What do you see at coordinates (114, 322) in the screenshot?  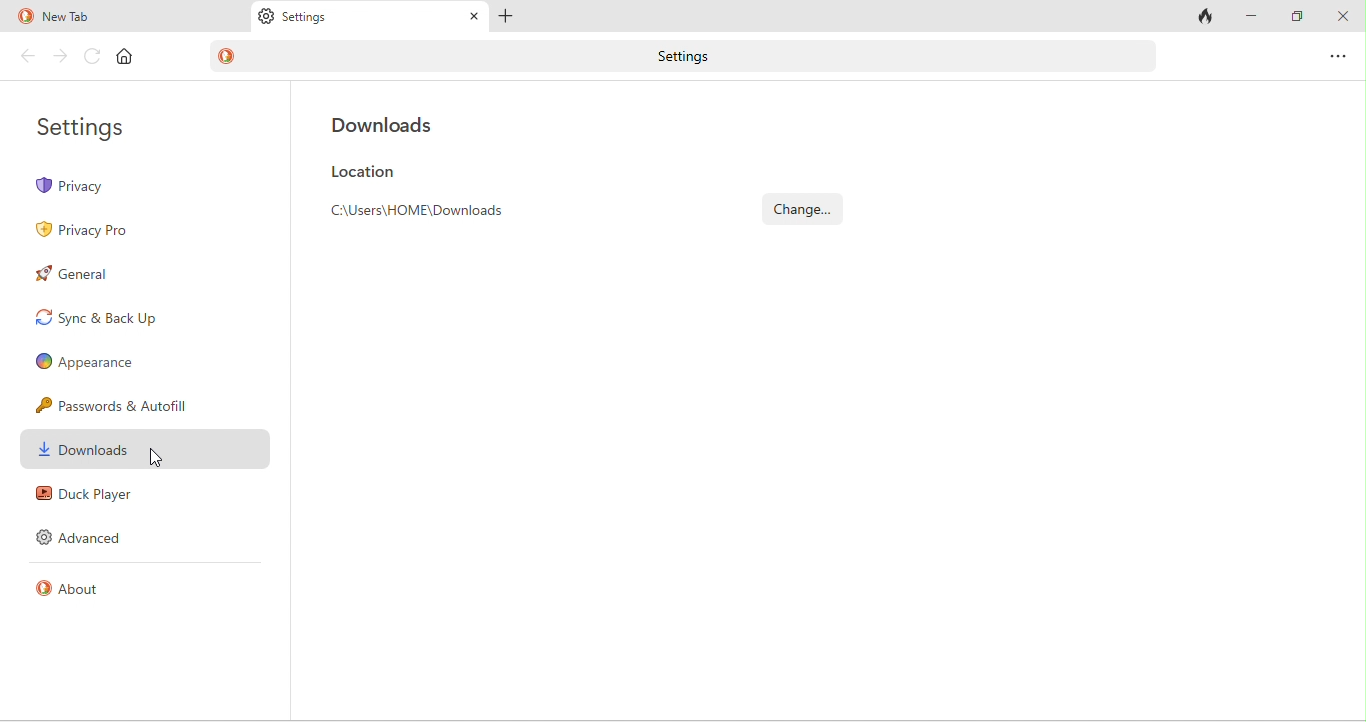 I see `sync and back up` at bounding box center [114, 322].